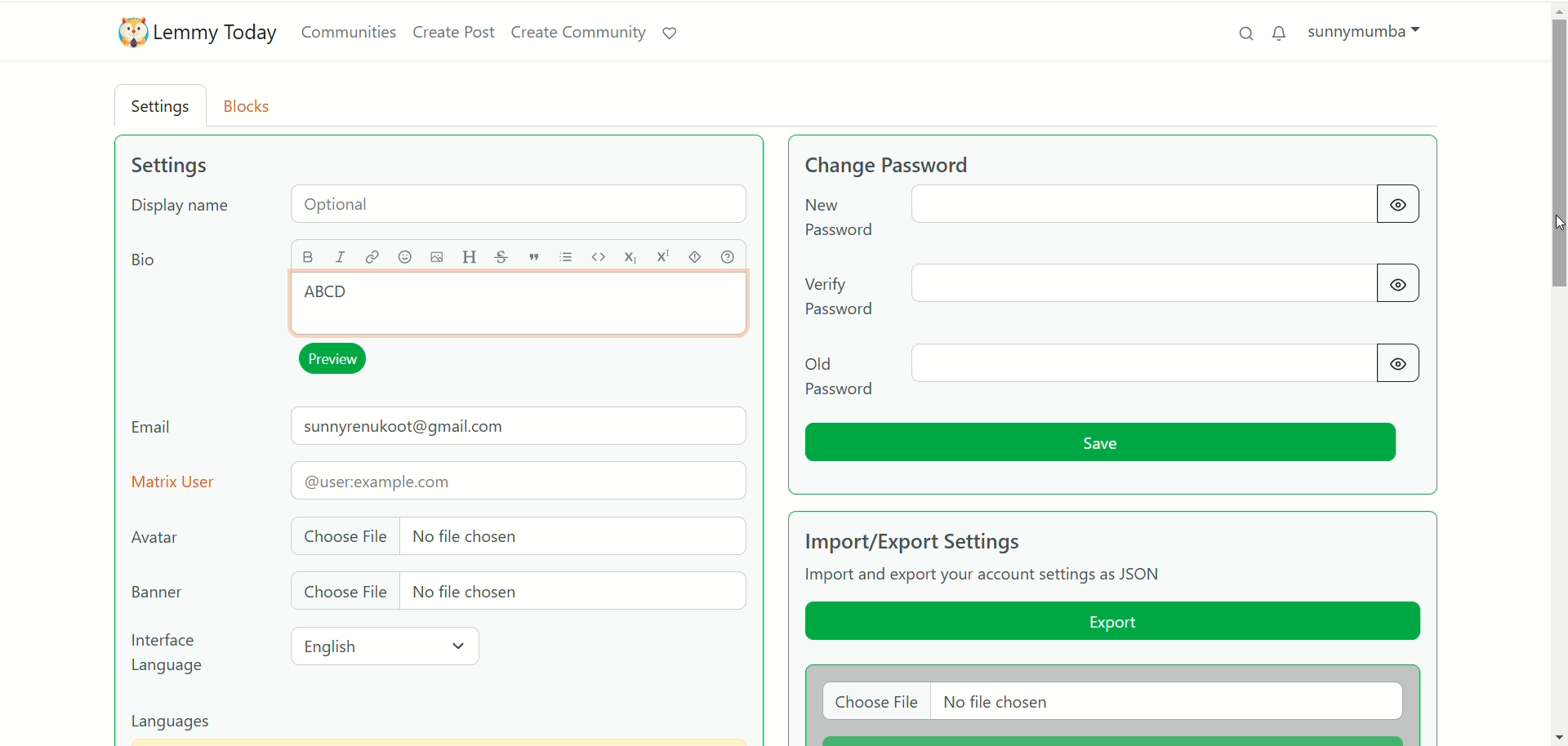 This screenshot has width=1568, height=746. I want to click on preview, so click(337, 360).